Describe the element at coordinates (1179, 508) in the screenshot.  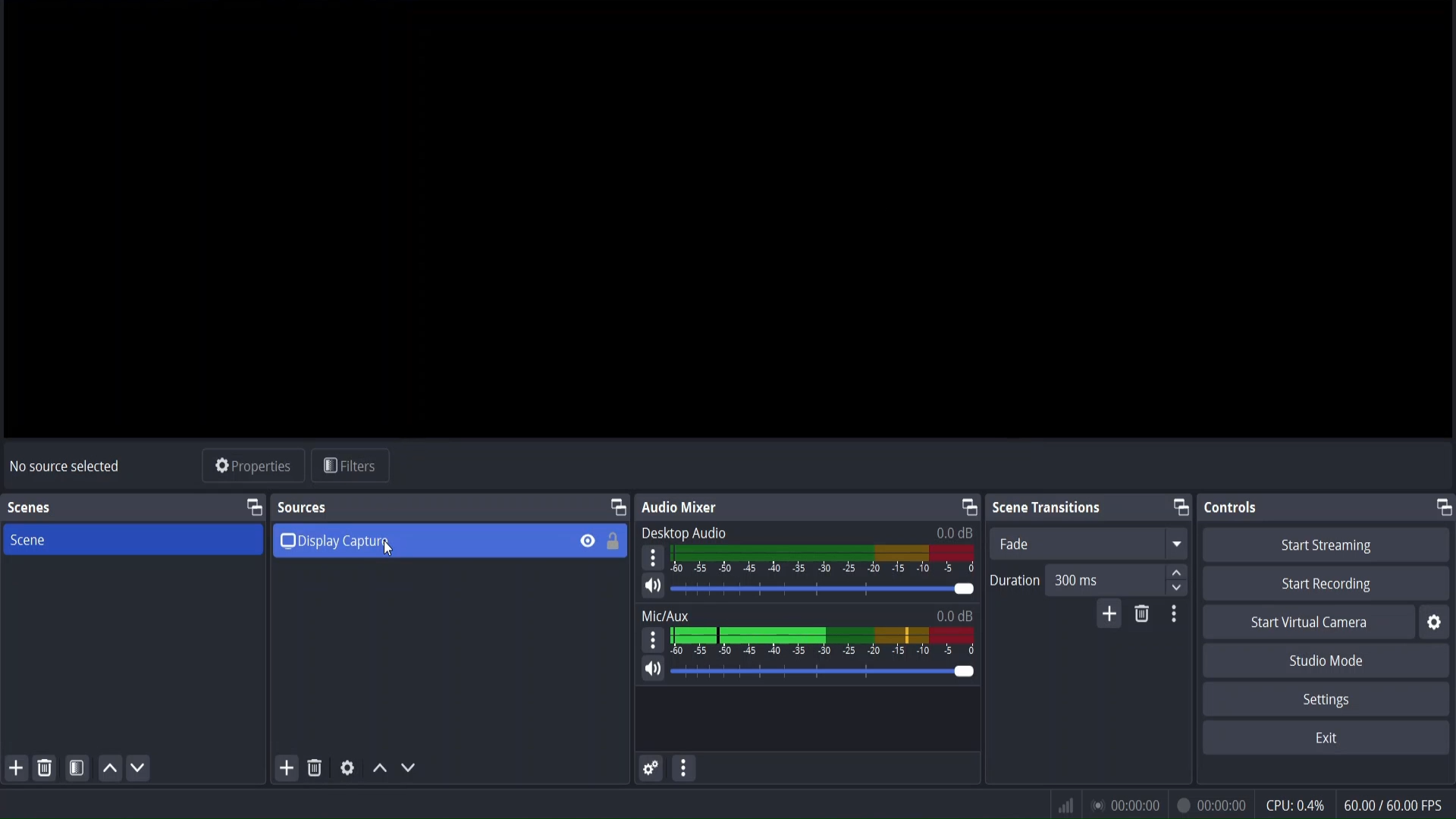
I see `change tab layout` at that location.